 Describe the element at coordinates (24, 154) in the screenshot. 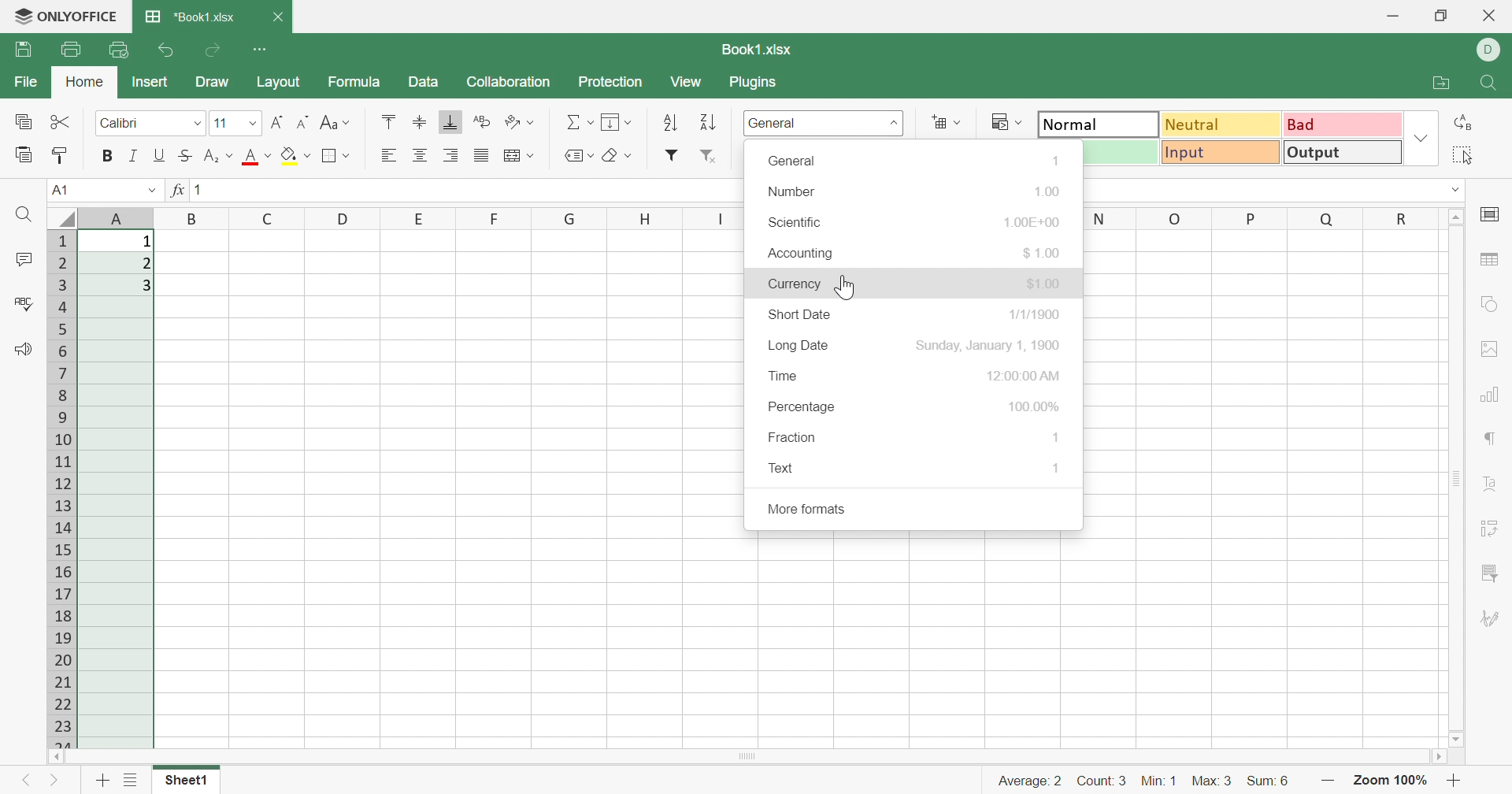

I see `Paste` at that location.